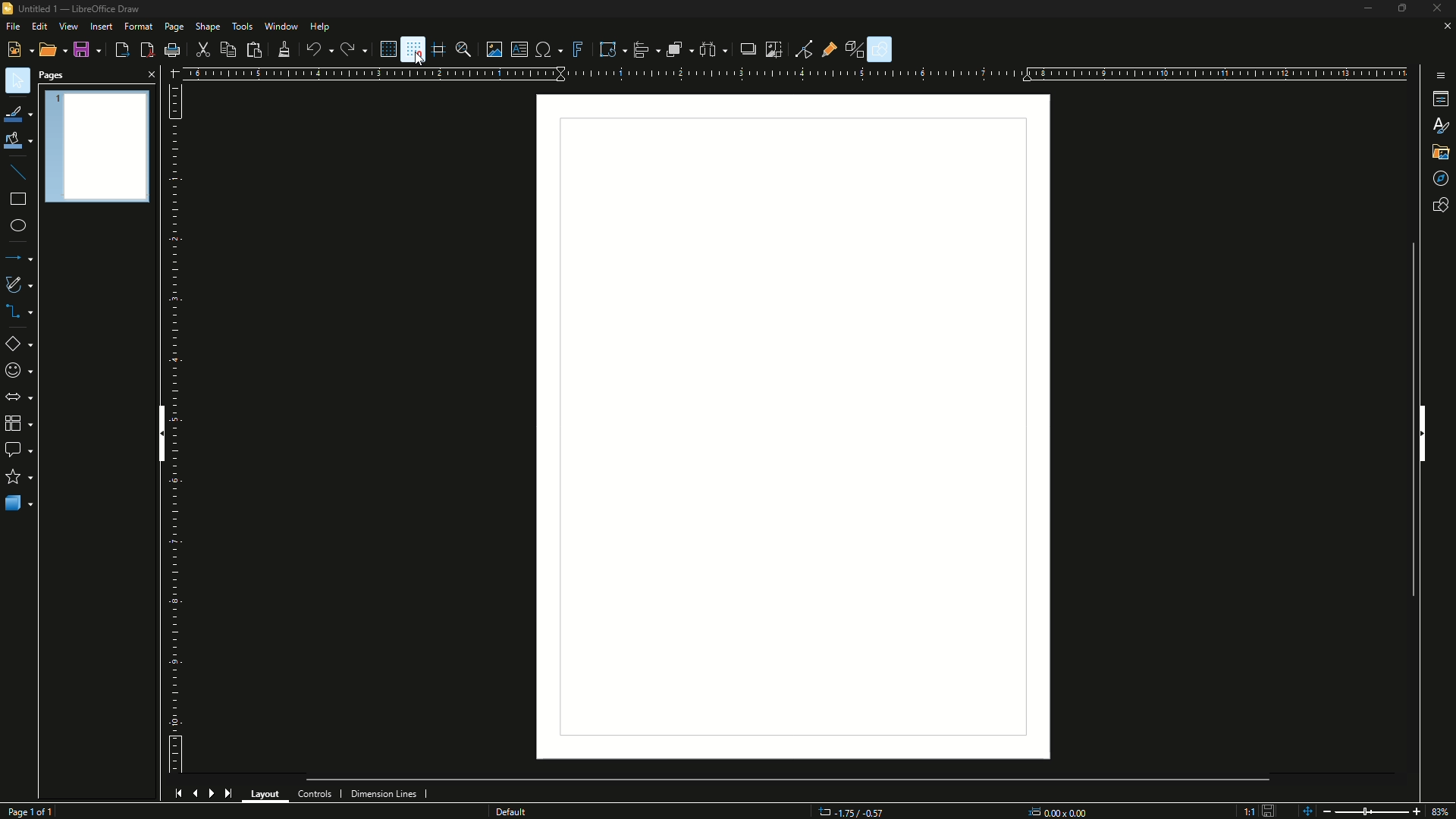 The height and width of the screenshot is (819, 1456). Describe the element at coordinates (773, 51) in the screenshot. I see `Crop Image` at that location.